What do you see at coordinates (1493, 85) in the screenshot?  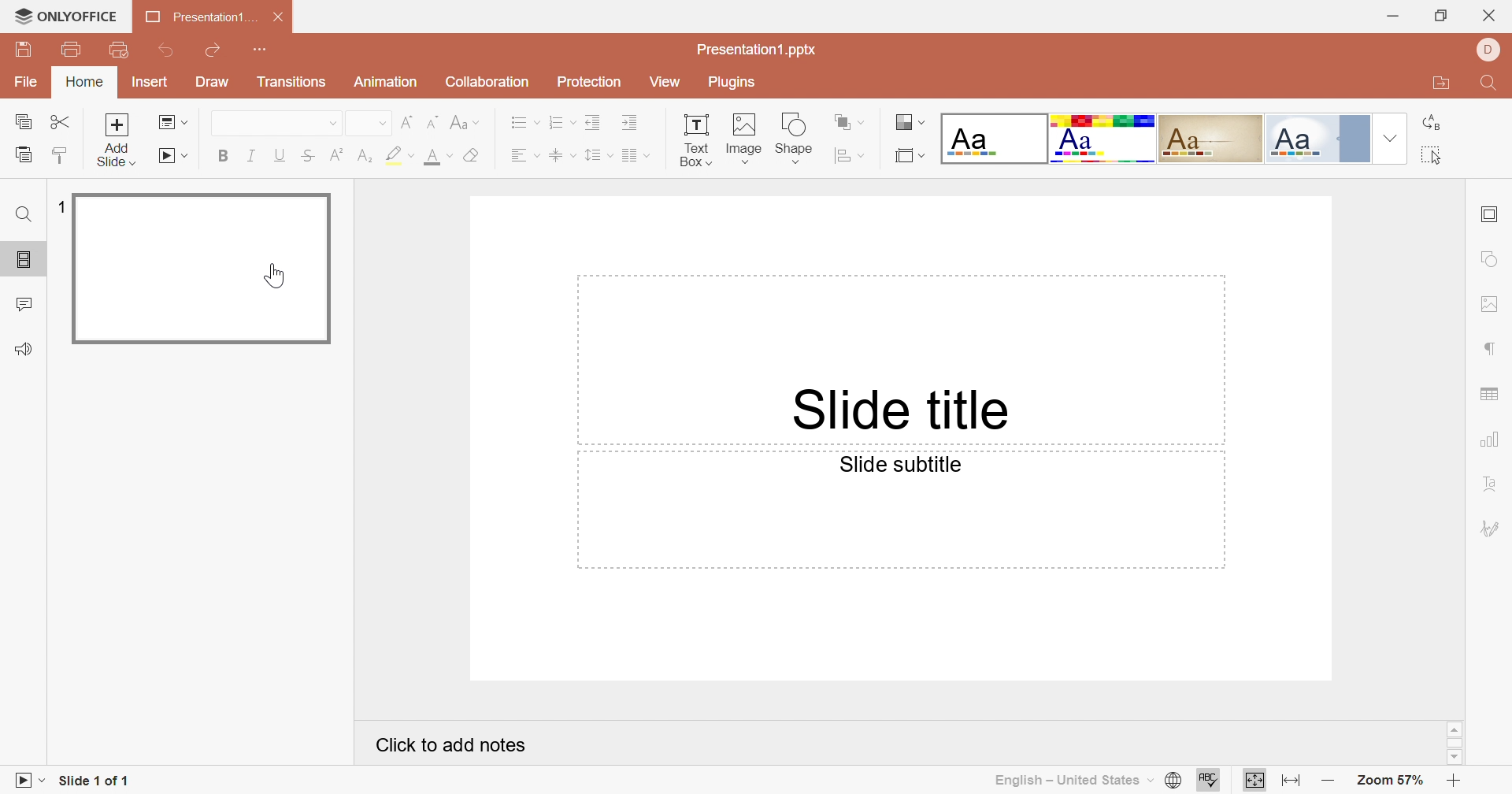 I see `Find` at bounding box center [1493, 85].